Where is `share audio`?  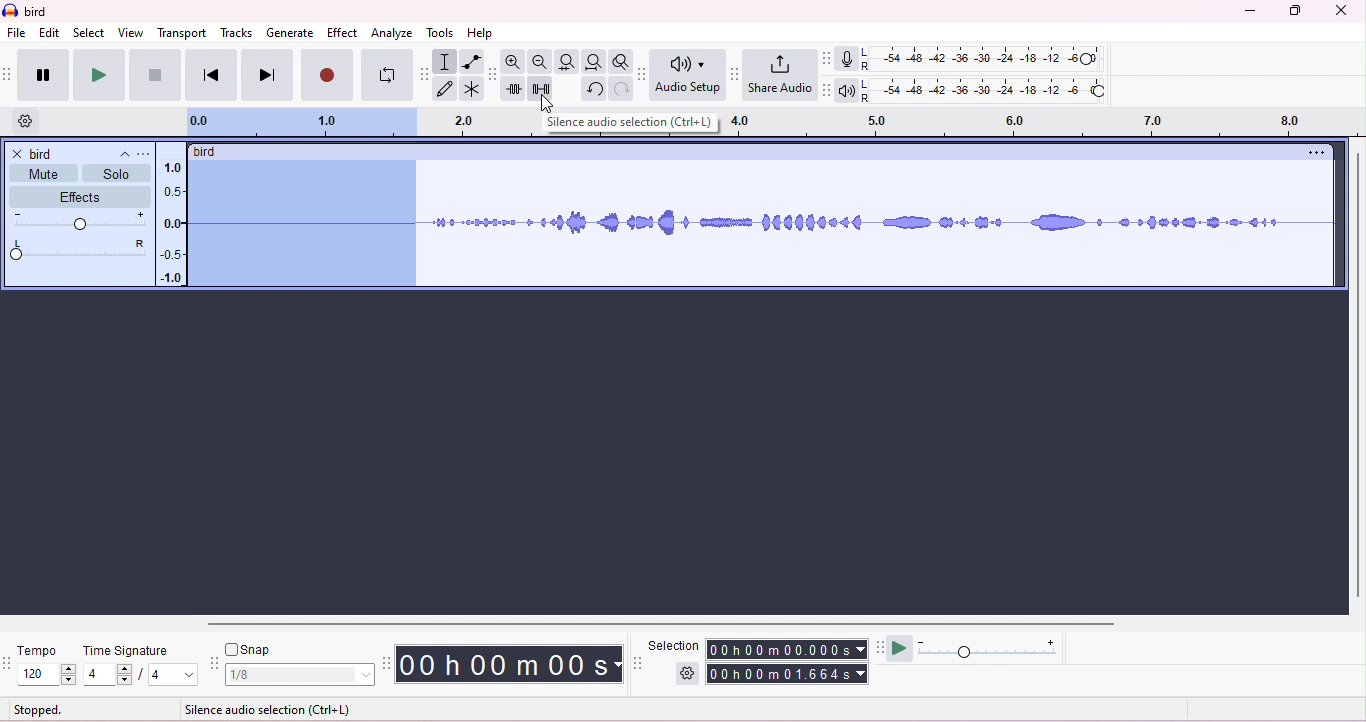
share audio is located at coordinates (783, 75).